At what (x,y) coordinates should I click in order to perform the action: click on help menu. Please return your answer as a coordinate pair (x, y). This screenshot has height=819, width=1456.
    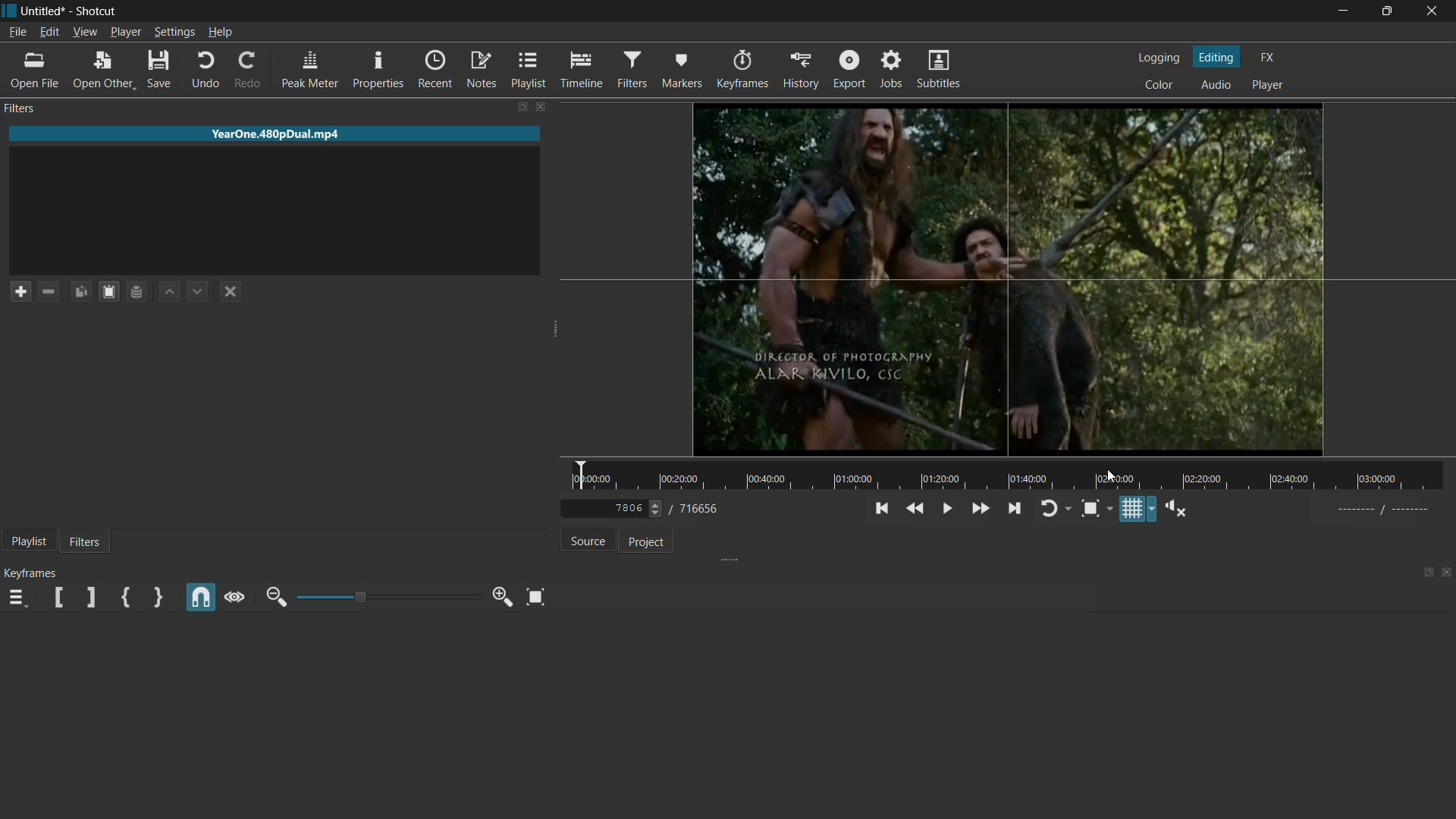
    Looking at the image, I should click on (220, 32).